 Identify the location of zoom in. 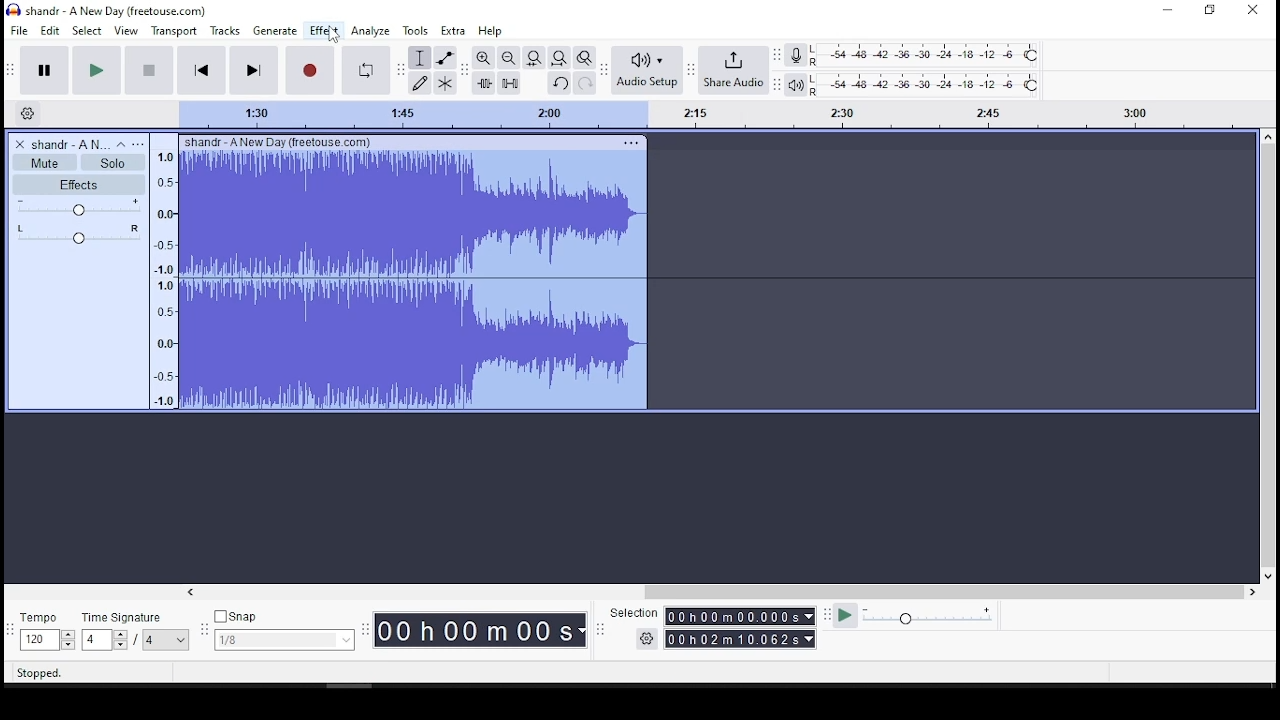
(483, 58).